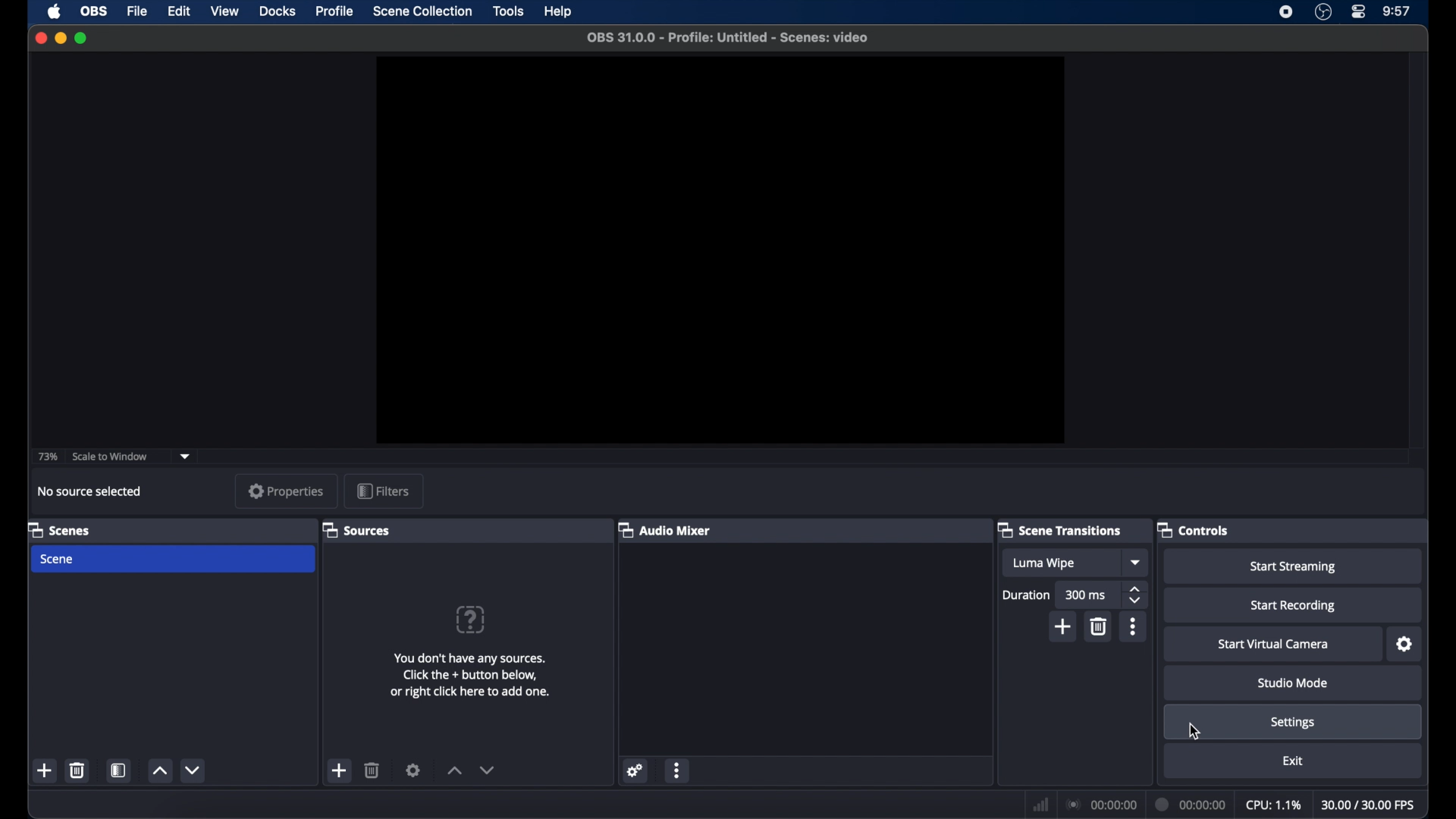 This screenshot has width=1456, height=819. Describe the element at coordinates (1193, 529) in the screenshot. I see `controls` at that location.